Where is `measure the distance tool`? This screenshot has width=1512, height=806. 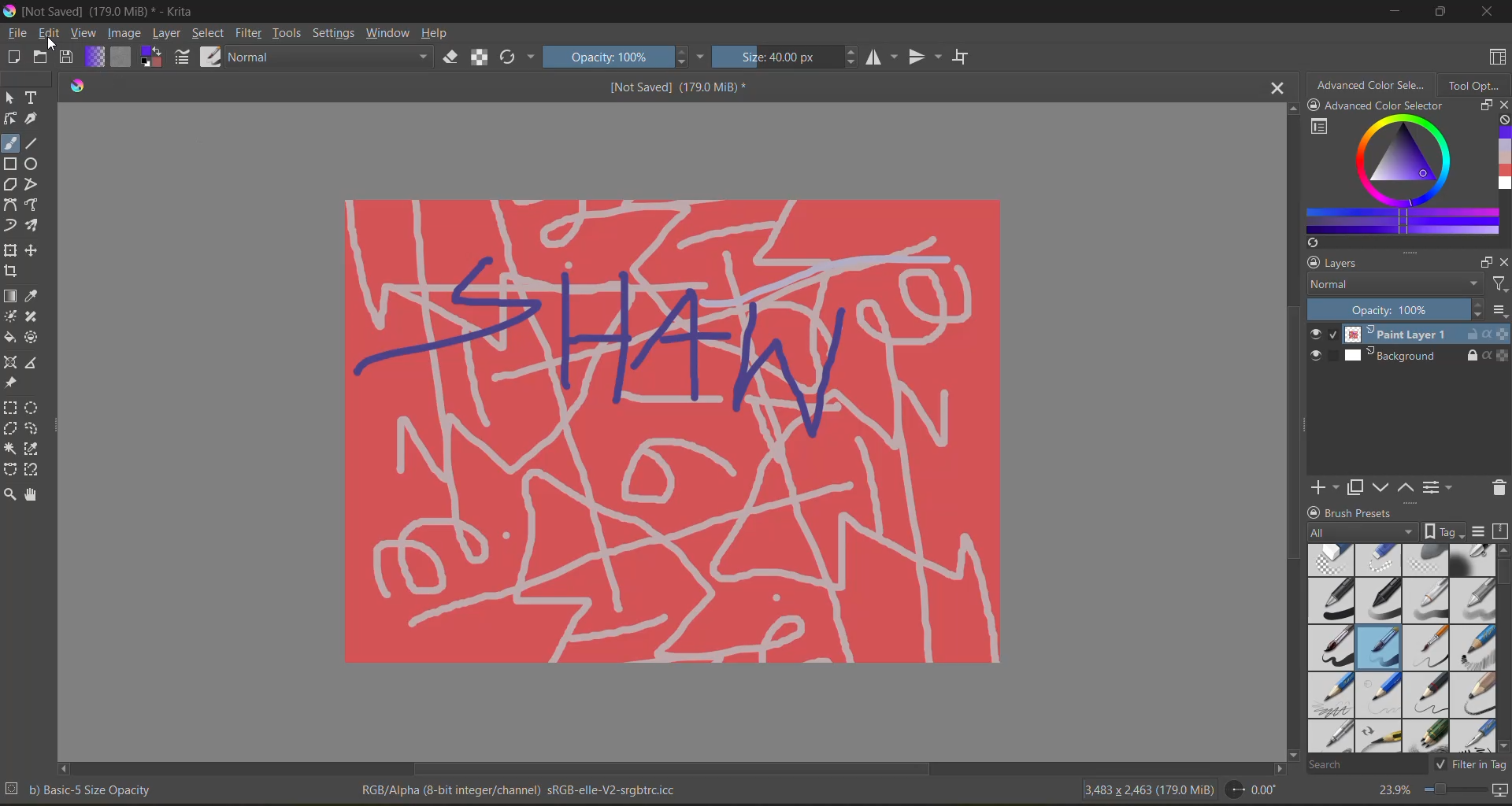 measure the distance tool is located at coordinates (36, 362).